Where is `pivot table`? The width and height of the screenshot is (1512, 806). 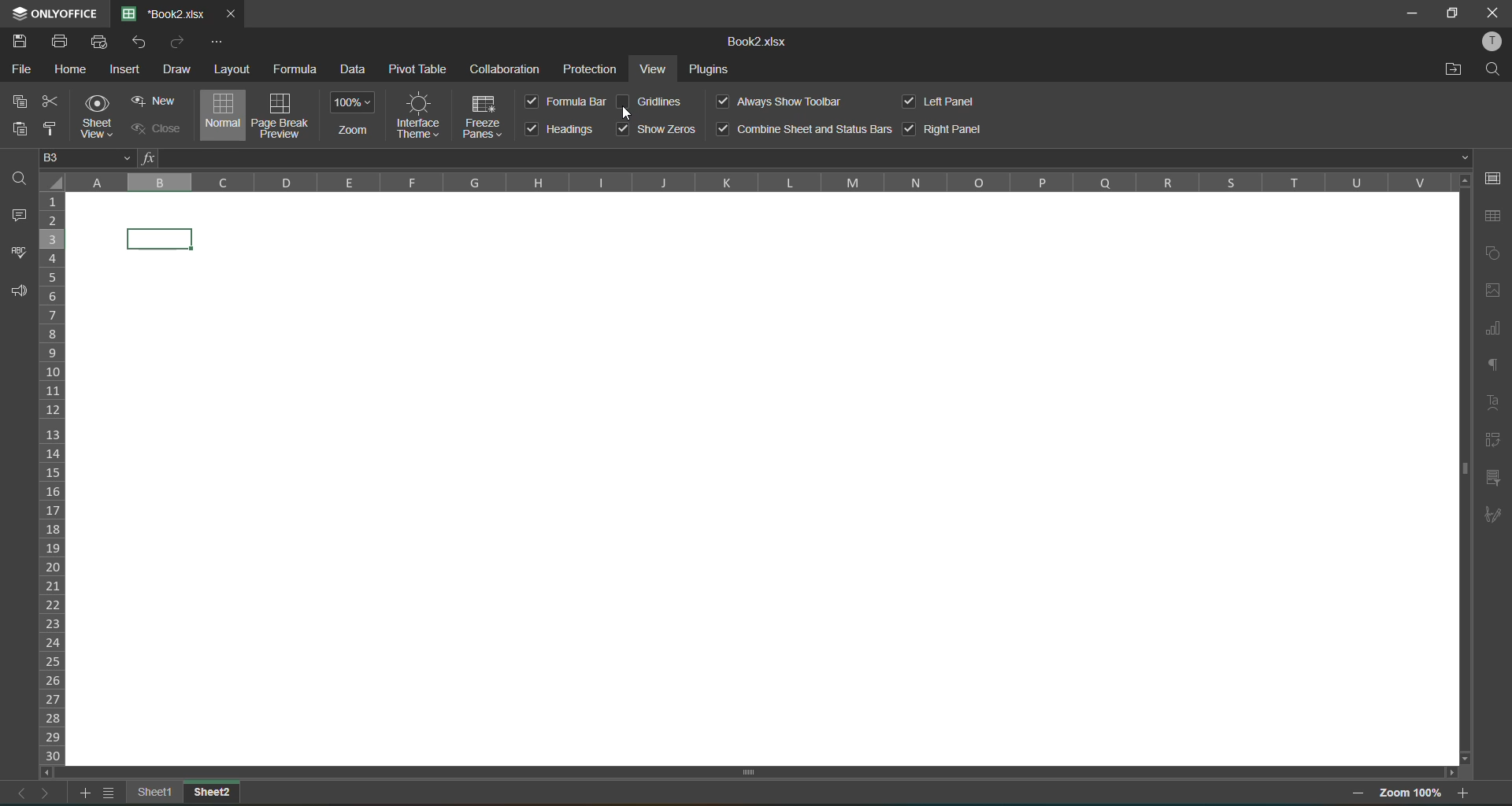
pivot table is located at coordinates (1496, 442).